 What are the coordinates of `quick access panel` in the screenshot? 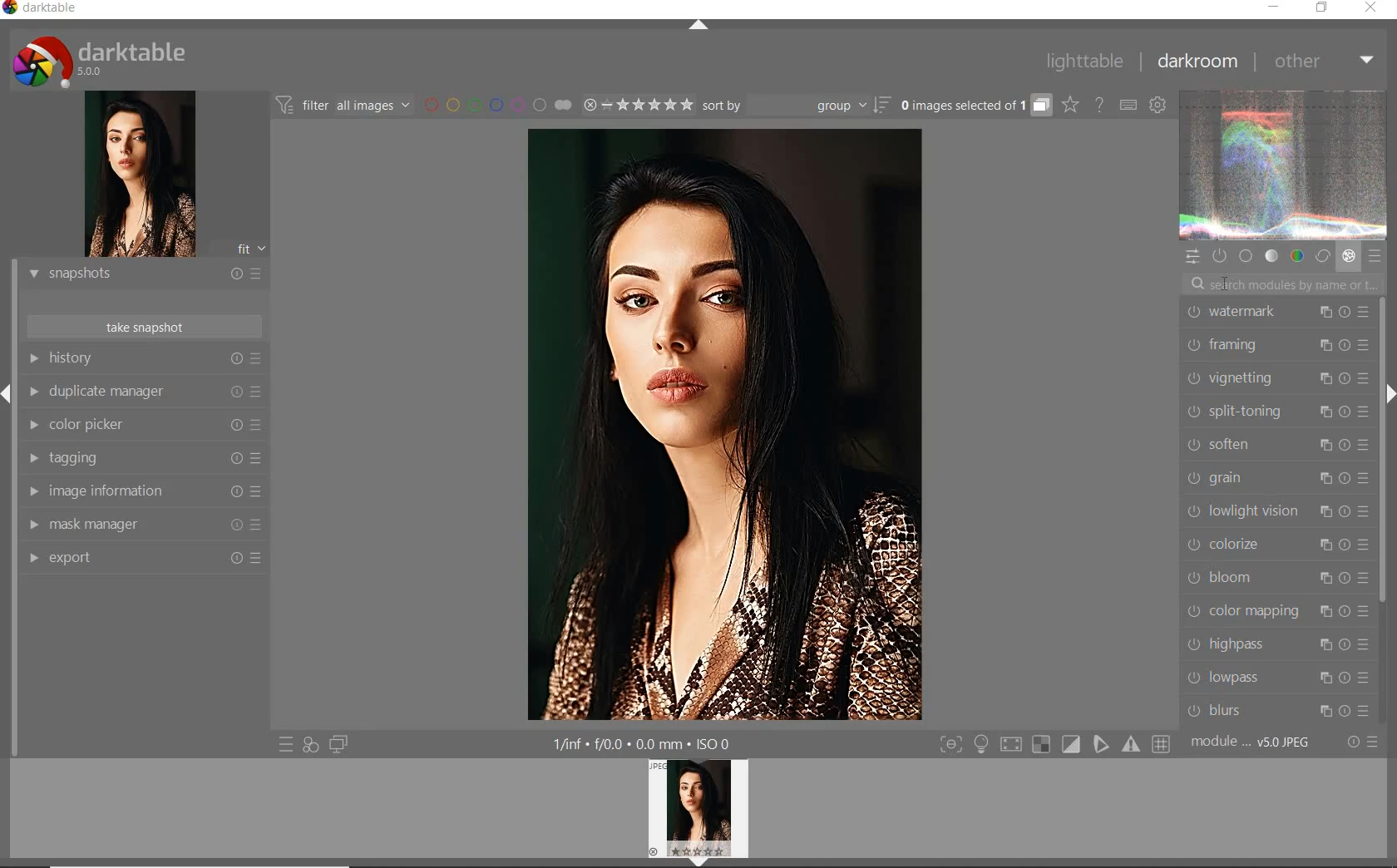 It's located at (1191, 257).